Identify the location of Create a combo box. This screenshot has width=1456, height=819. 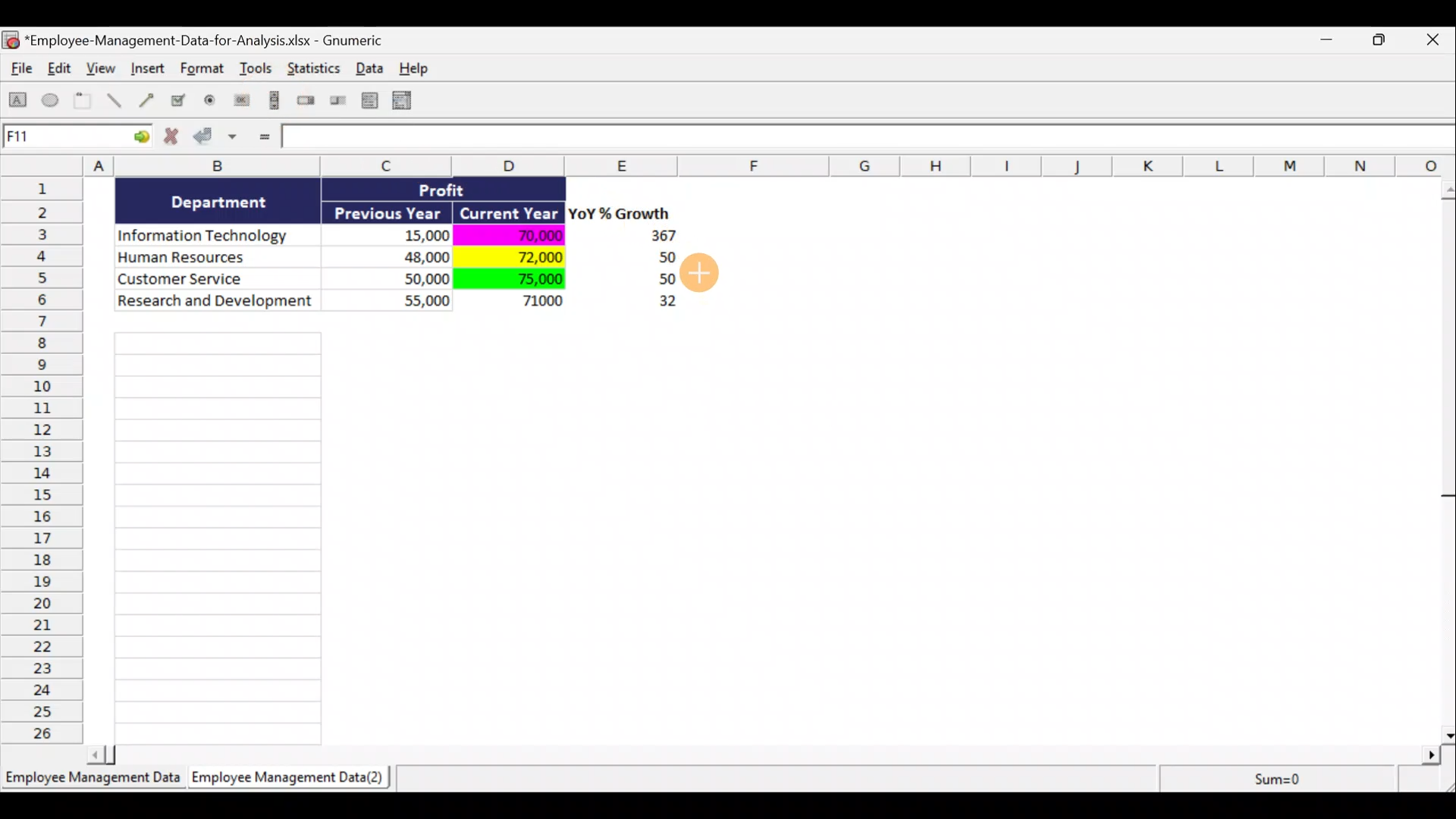
(409, 101).